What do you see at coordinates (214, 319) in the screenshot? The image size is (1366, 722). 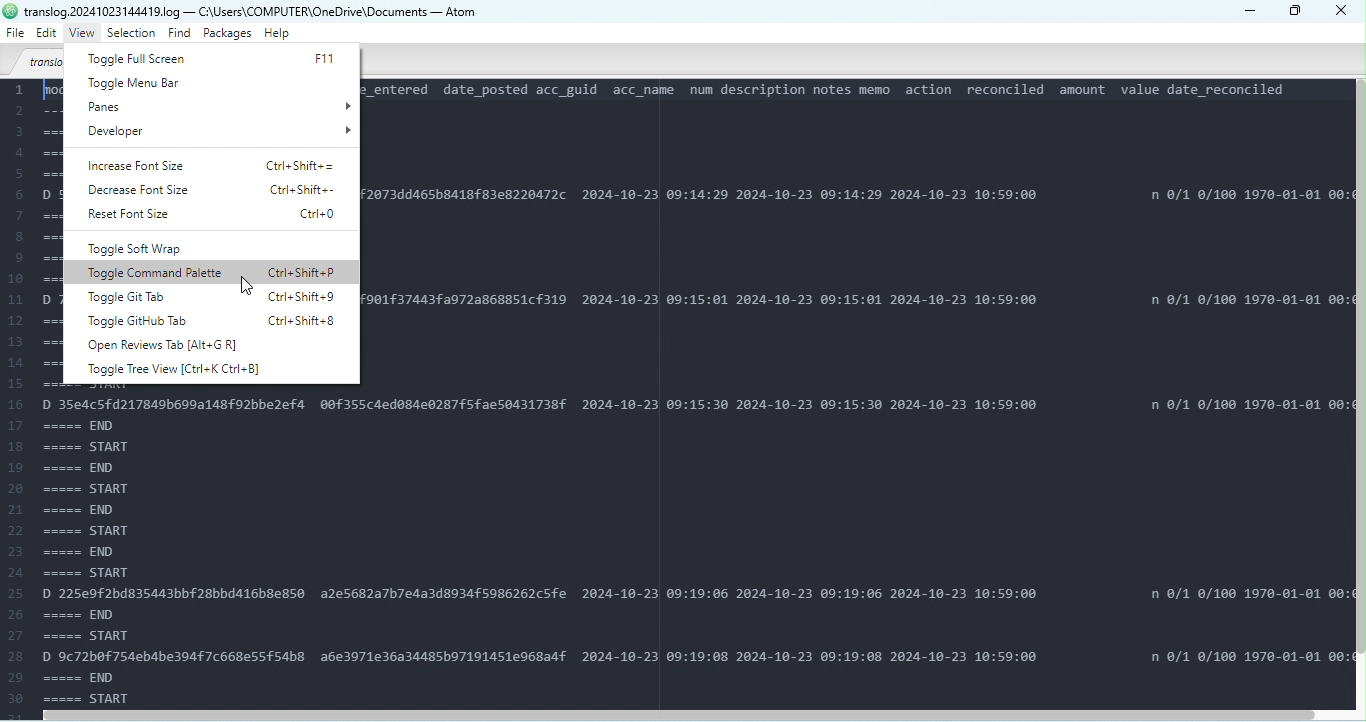 I see `Toggle github tab` at bounding box center [214, 319].